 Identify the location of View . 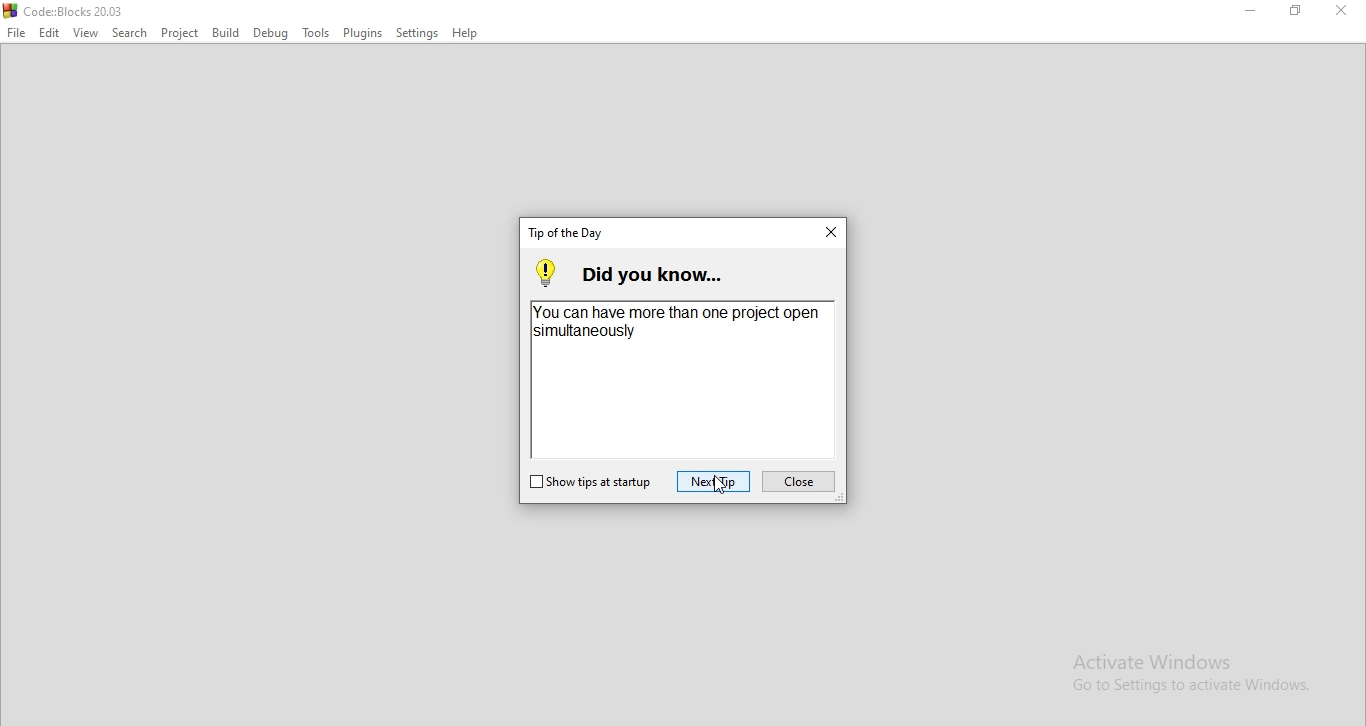
(86, 32).